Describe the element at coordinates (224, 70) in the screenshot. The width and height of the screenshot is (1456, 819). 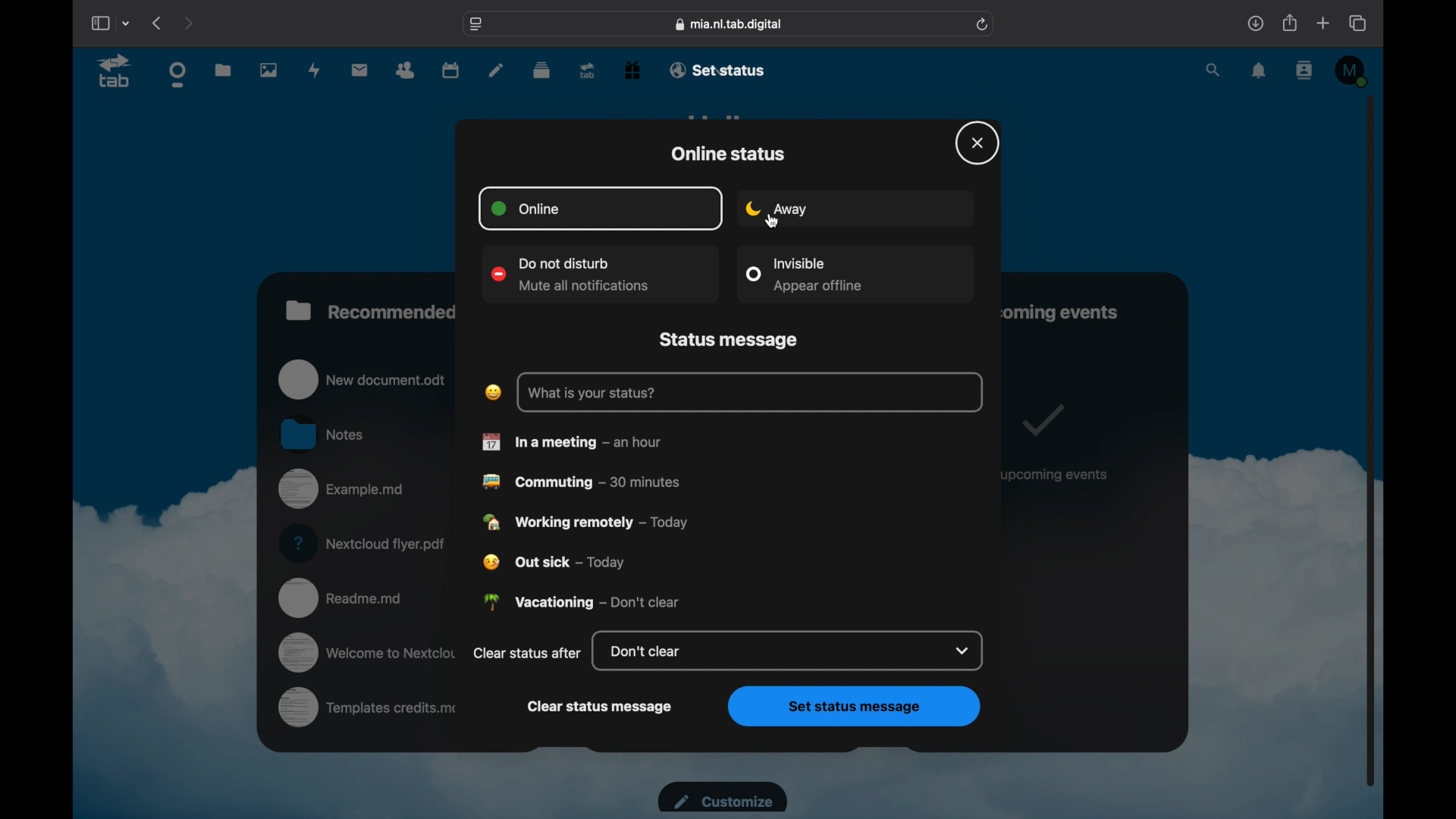
I see `files` at that location.